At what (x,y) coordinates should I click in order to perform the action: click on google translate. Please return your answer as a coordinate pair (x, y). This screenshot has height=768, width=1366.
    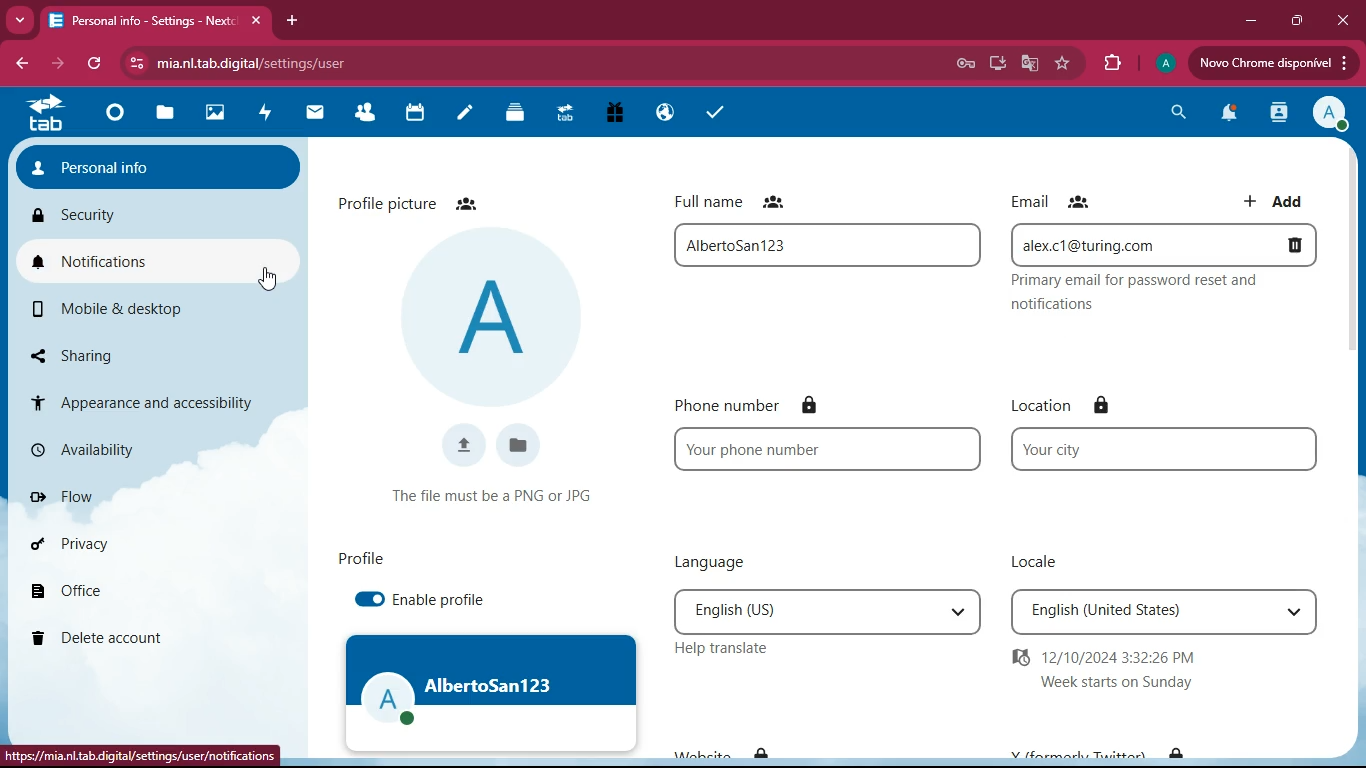
    Looking at the image, I should click on (1027, 64).